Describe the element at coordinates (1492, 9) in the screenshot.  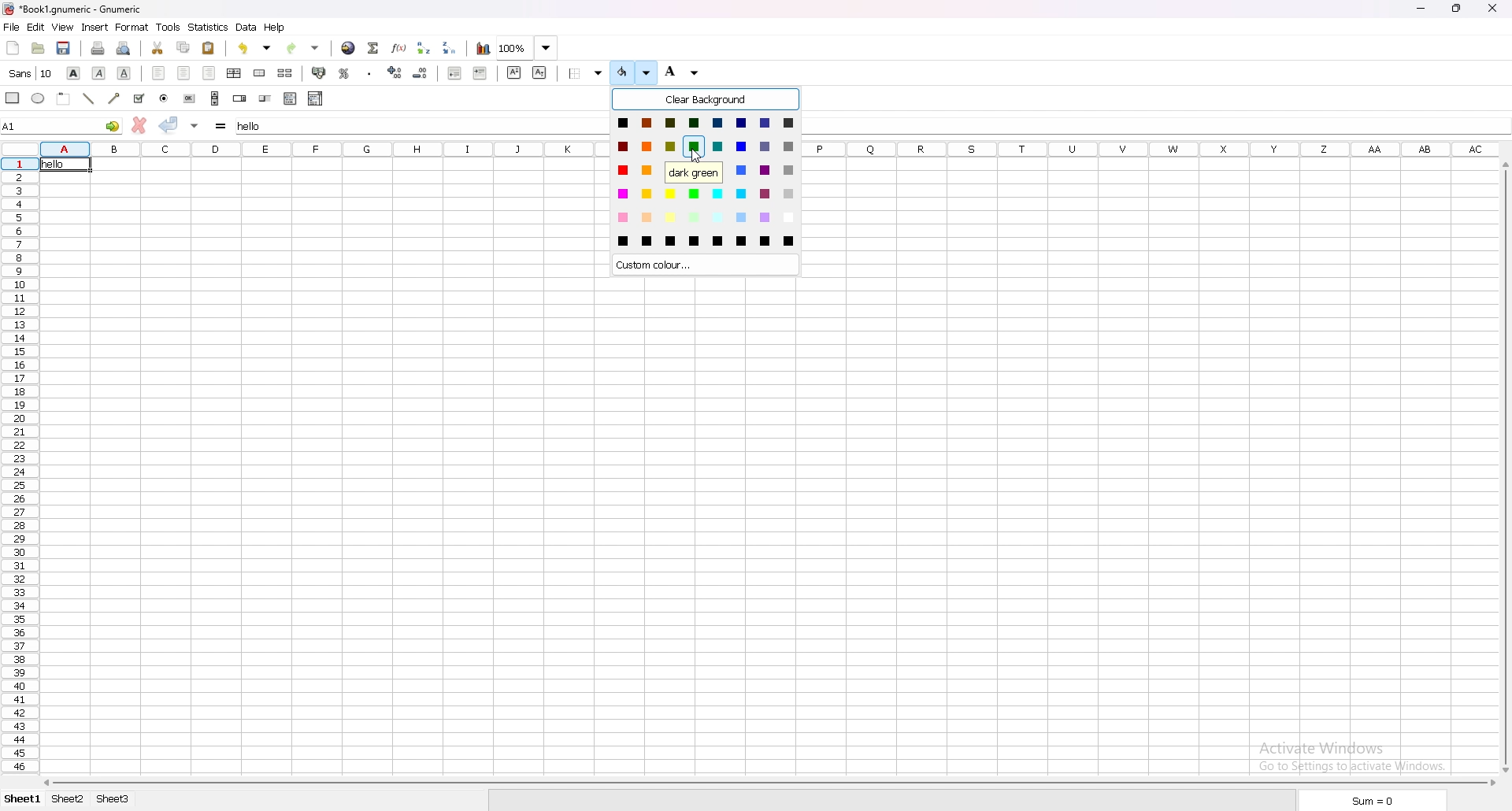
I see `close` at that location.